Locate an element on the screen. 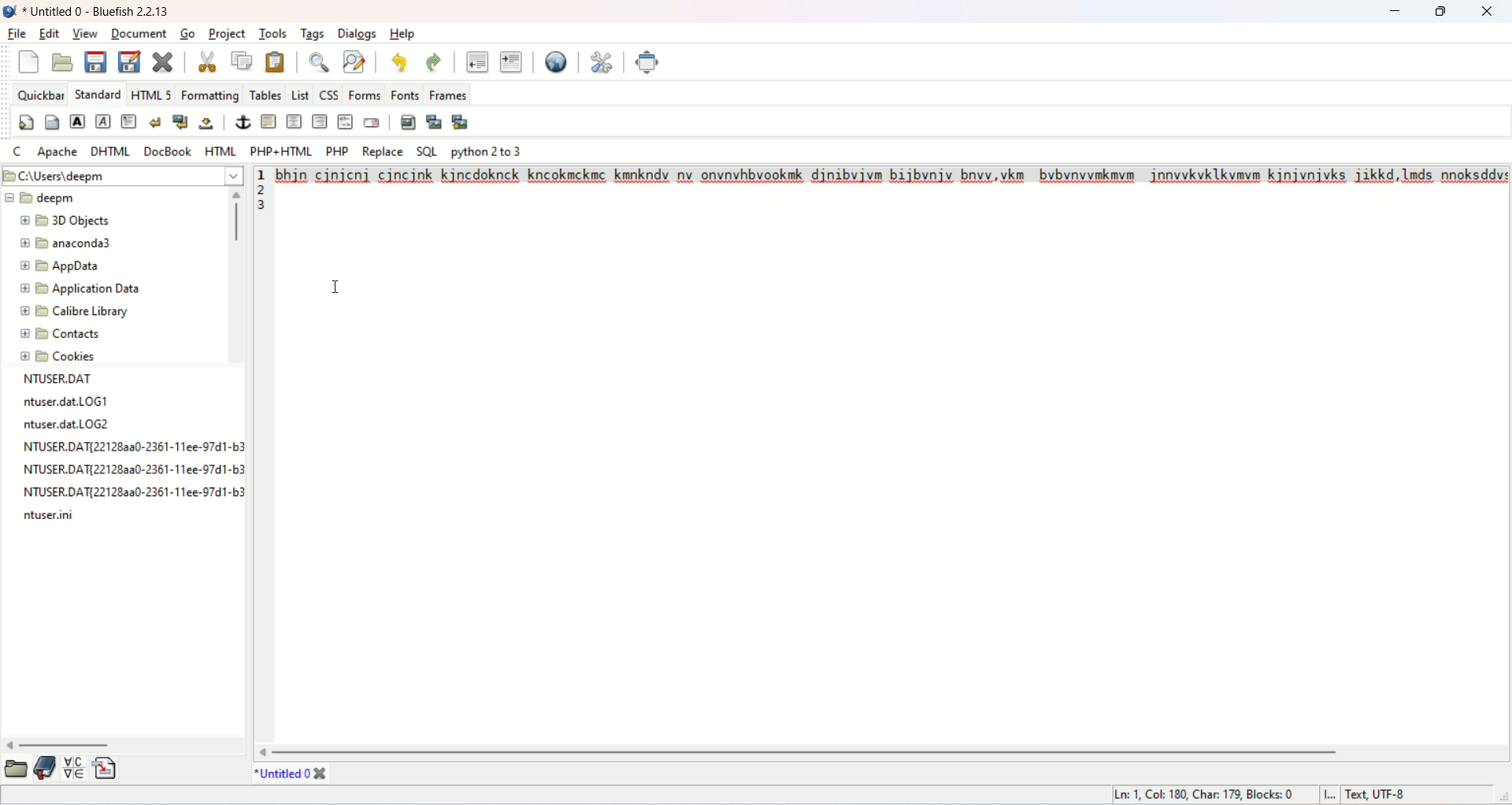 This screenshot has width=1512, height=805. advanced find and replace is located at coordinates (353, 63).